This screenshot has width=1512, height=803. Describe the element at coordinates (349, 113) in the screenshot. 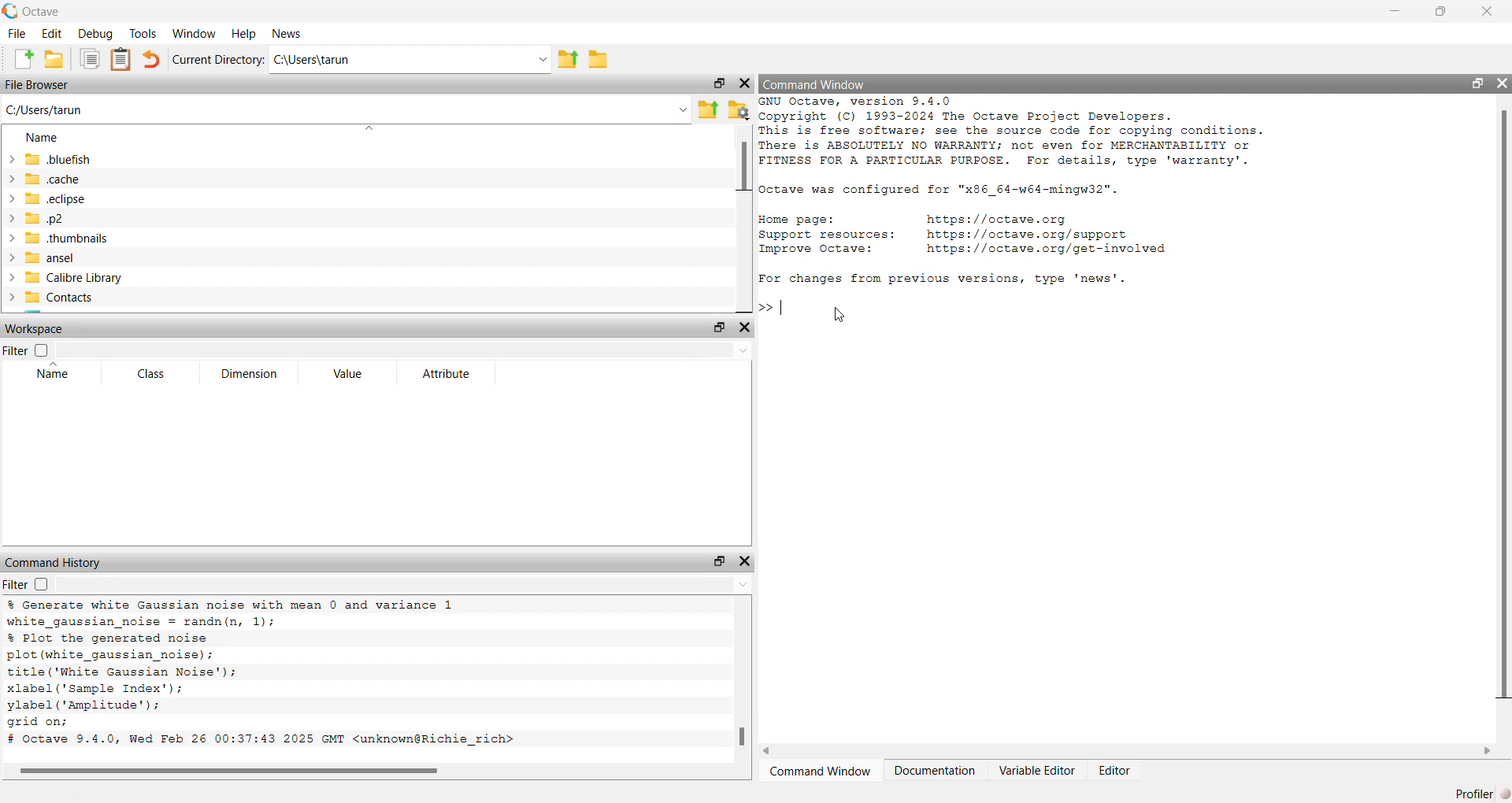

I see `C:/Users/tarun` at that location.